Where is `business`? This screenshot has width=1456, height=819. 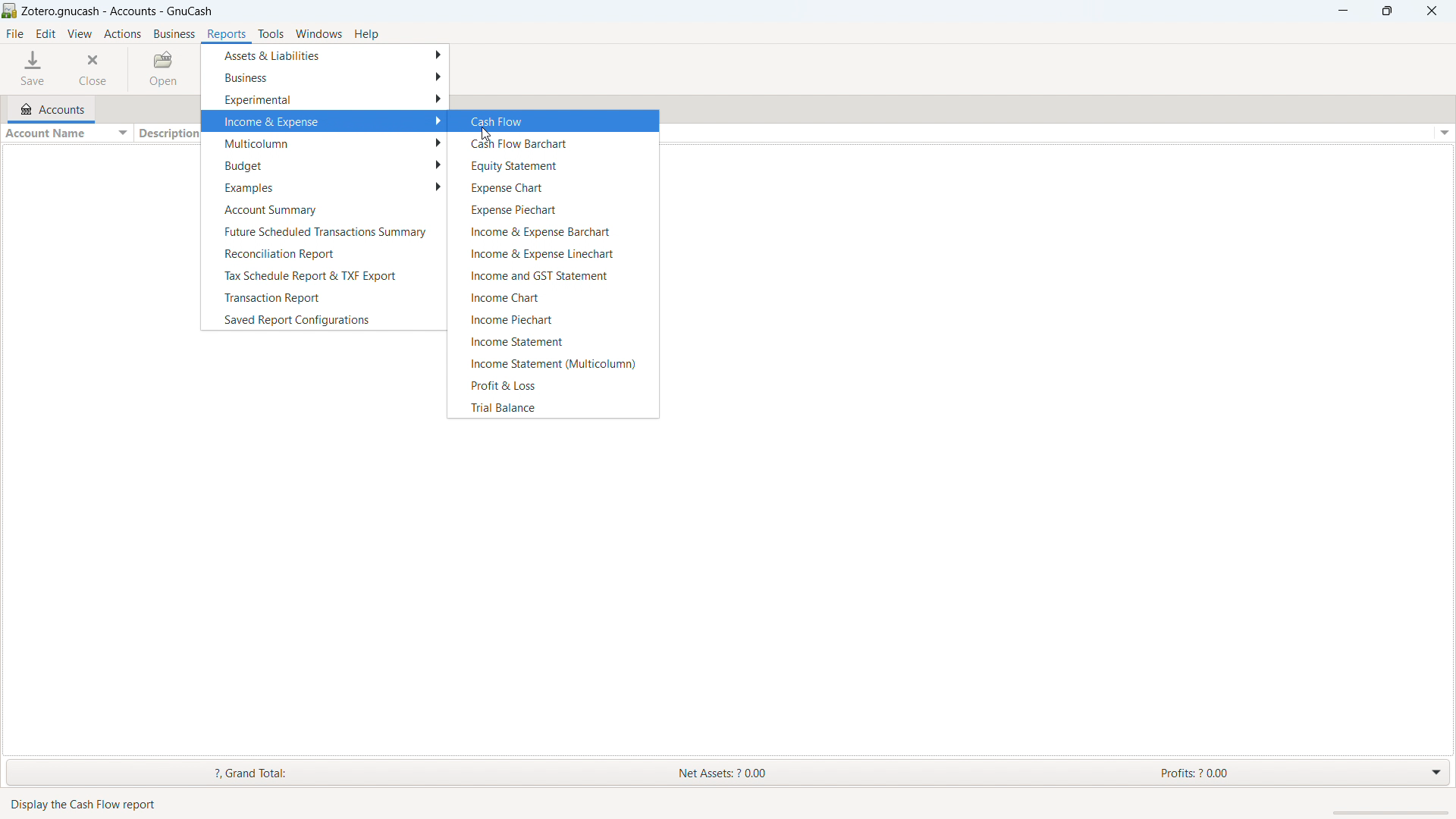 business is located at coordinates (174, 33).